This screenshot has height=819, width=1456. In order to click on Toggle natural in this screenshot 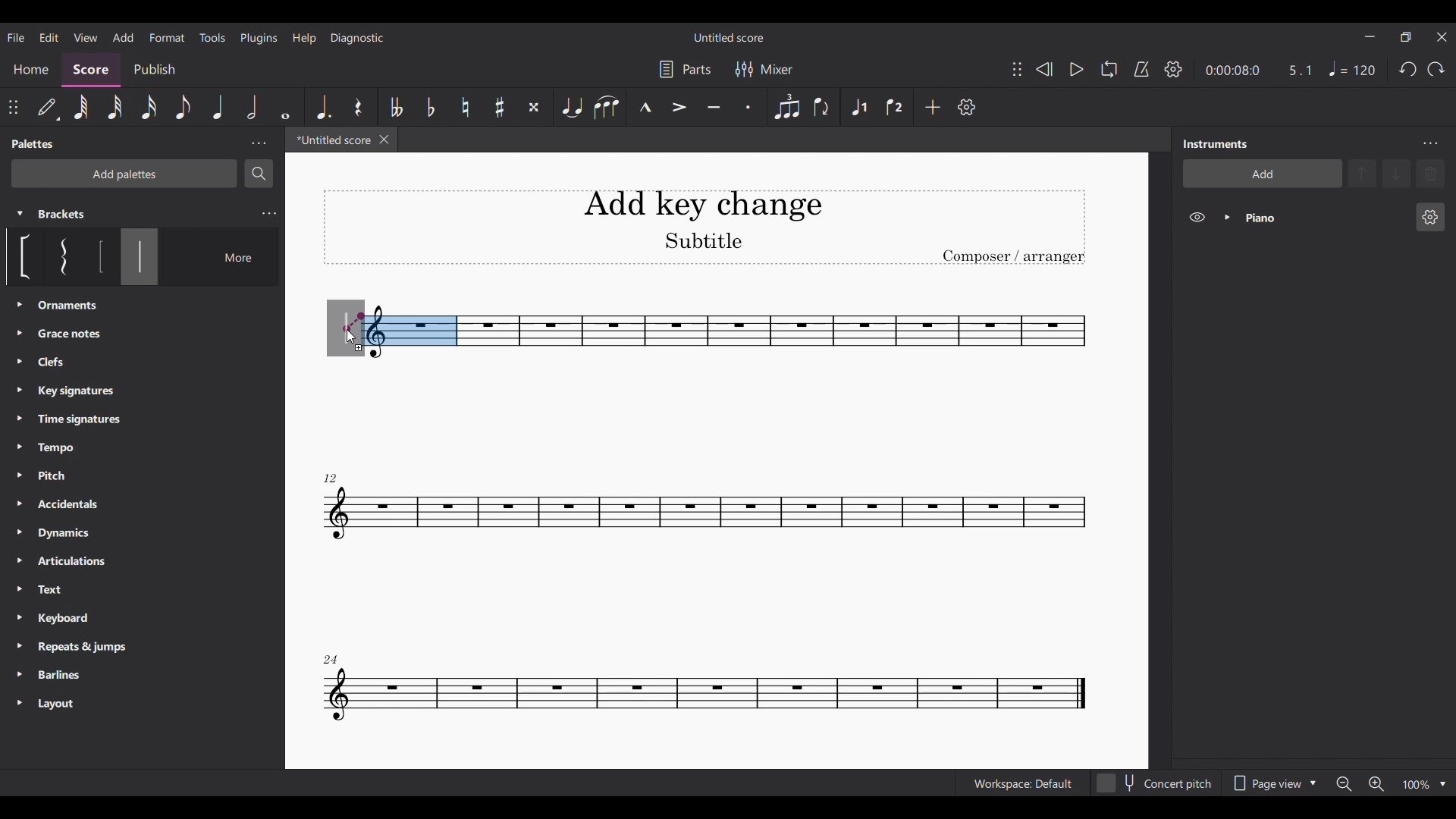, I will do `click(466, 106)`.